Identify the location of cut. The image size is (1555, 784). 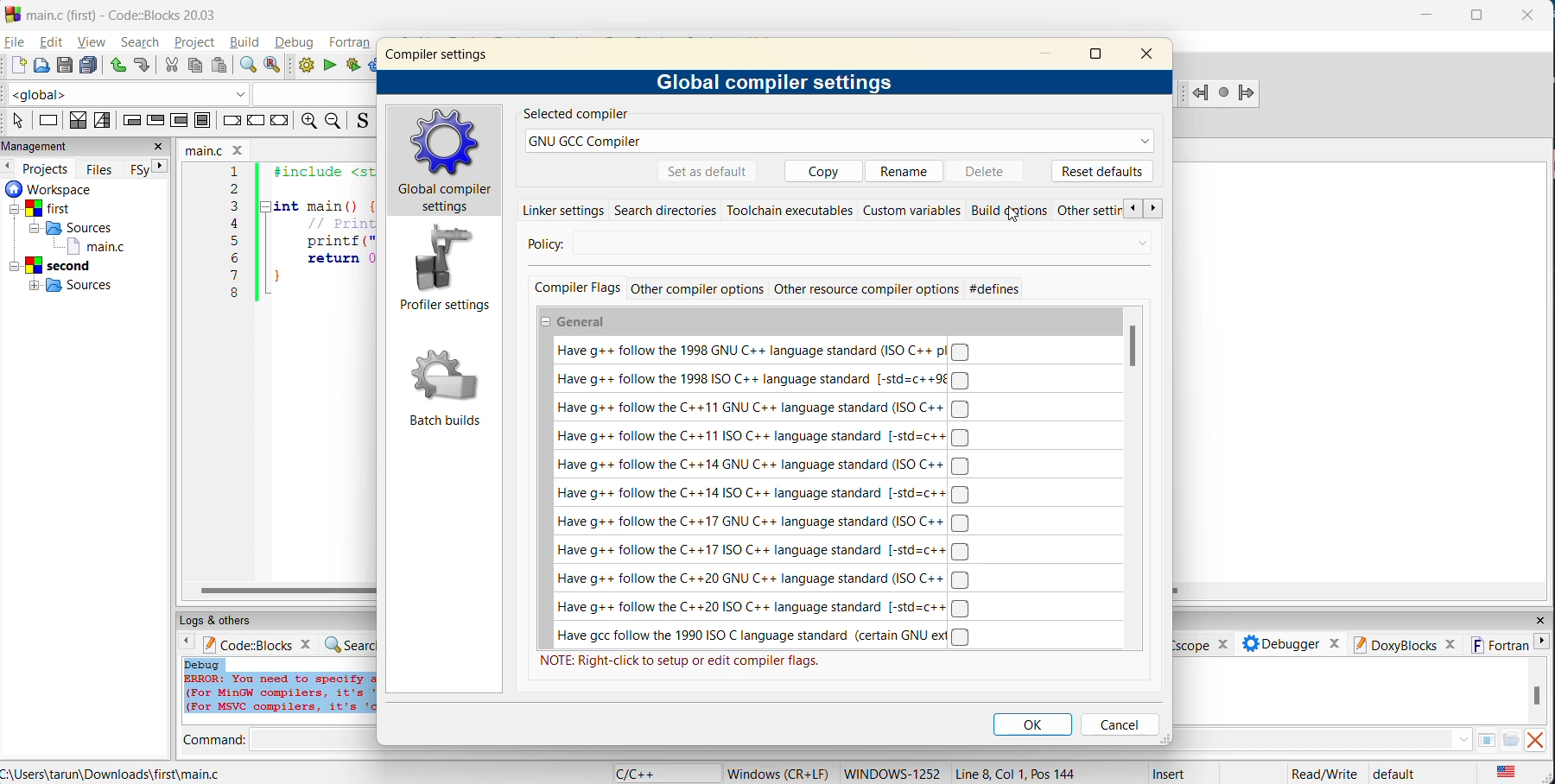
(168, 66).